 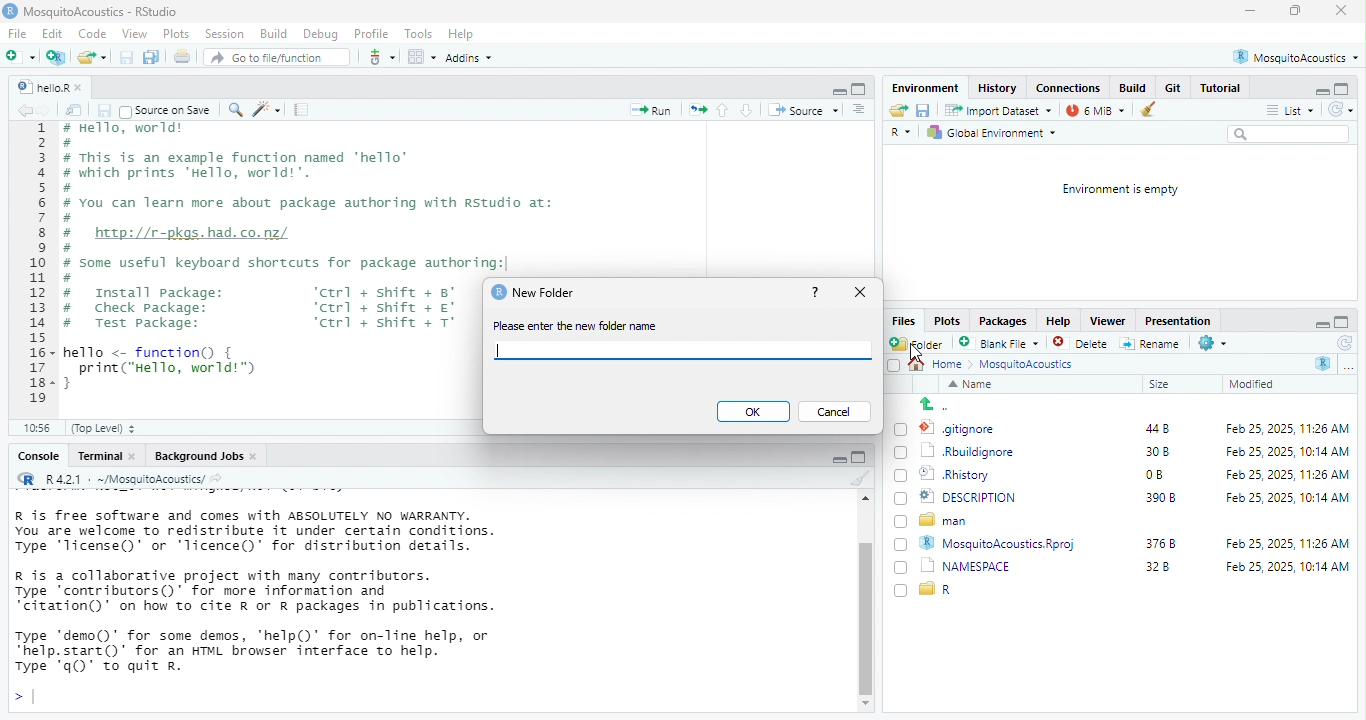 What do you see at coordinates (1133, 88) in the screenshot?
I see `build` at bounding box center [1133, 88].